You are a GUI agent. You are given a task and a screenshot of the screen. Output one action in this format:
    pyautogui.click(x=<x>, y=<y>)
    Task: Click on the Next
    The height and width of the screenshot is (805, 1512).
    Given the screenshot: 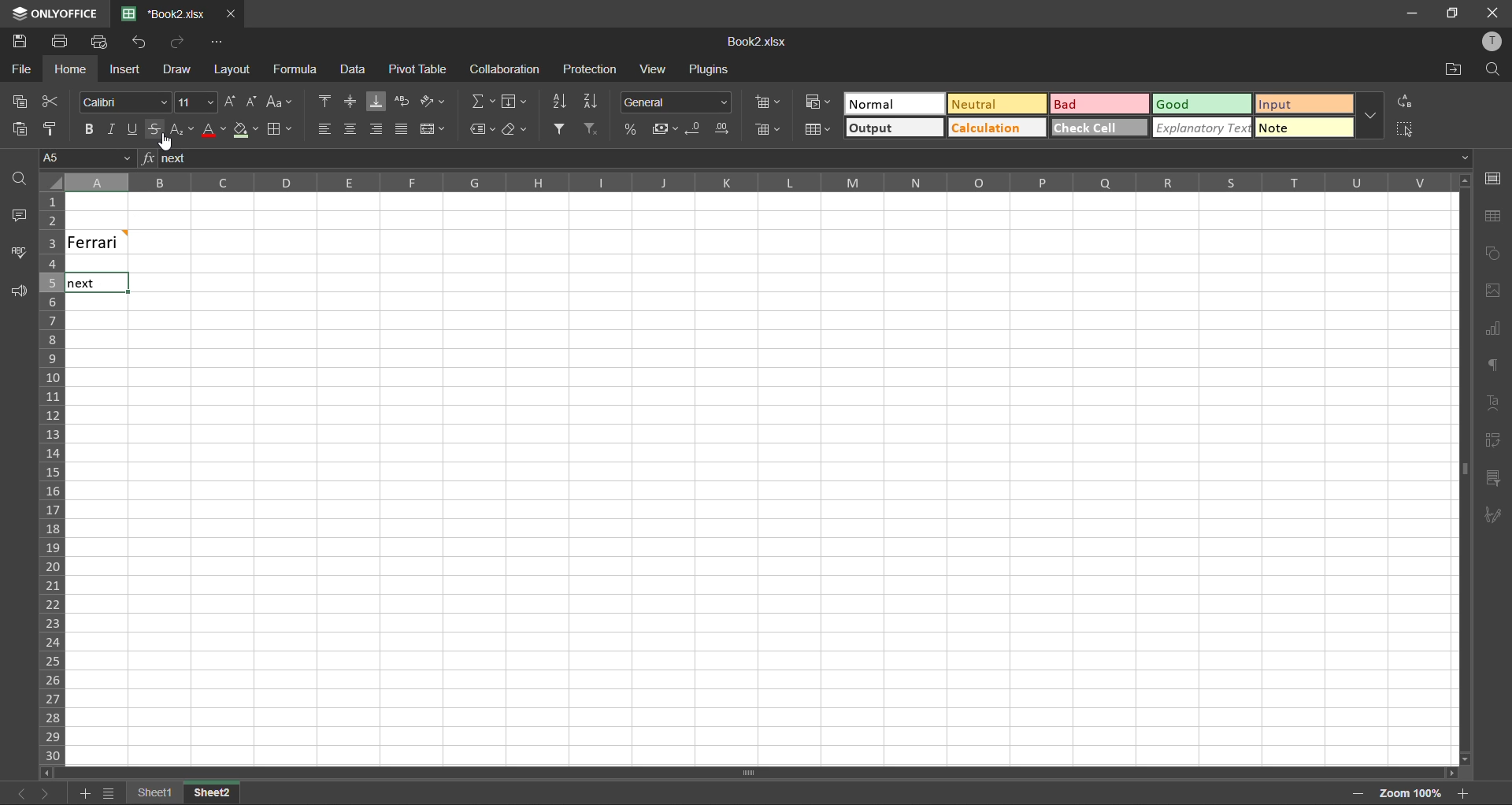 What is the action you would take?
    pyautogui.click(x=100, y=282)
    